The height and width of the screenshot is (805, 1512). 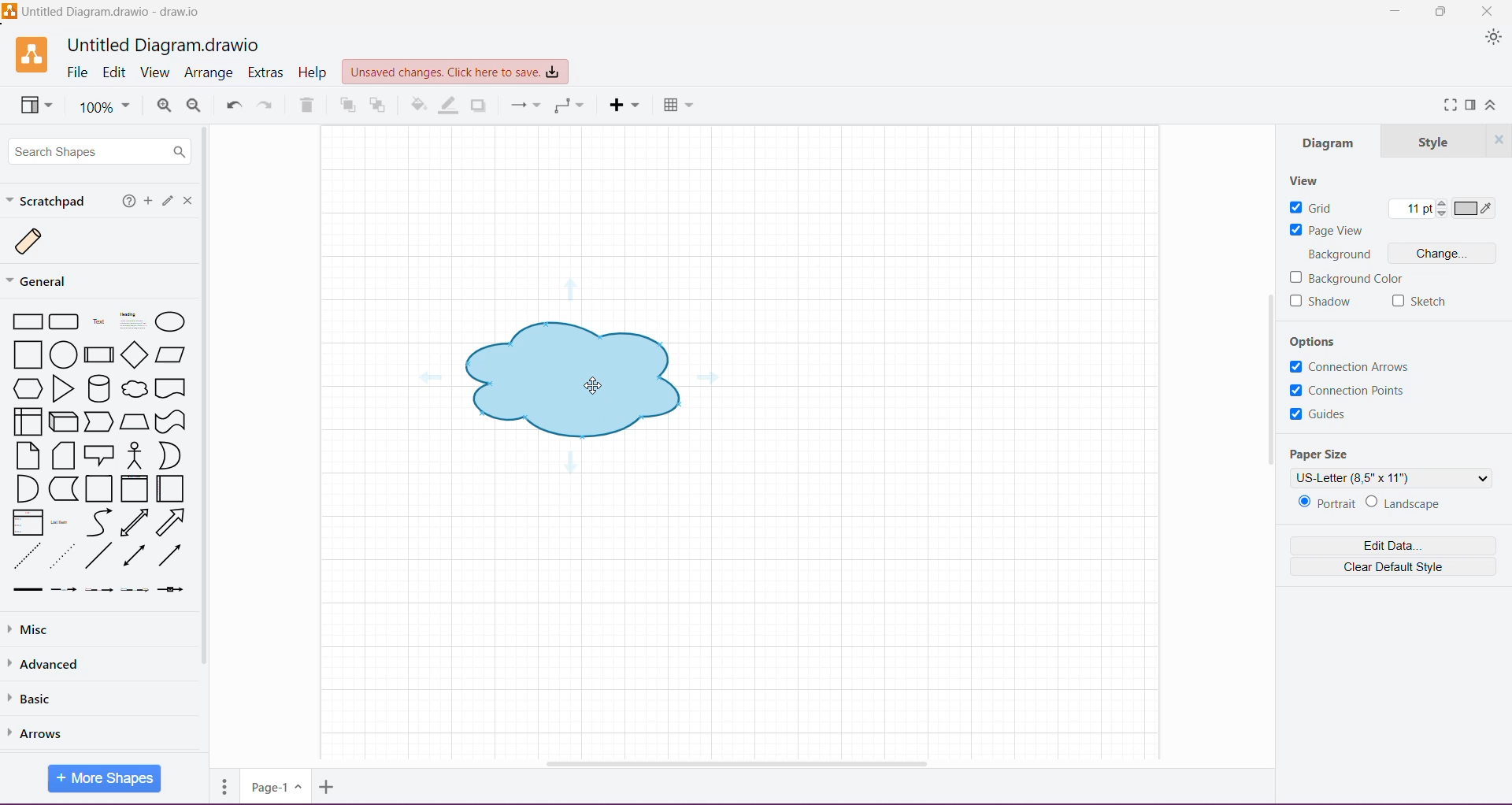 I want to click on Appearance, so click(x=1493, y=39).